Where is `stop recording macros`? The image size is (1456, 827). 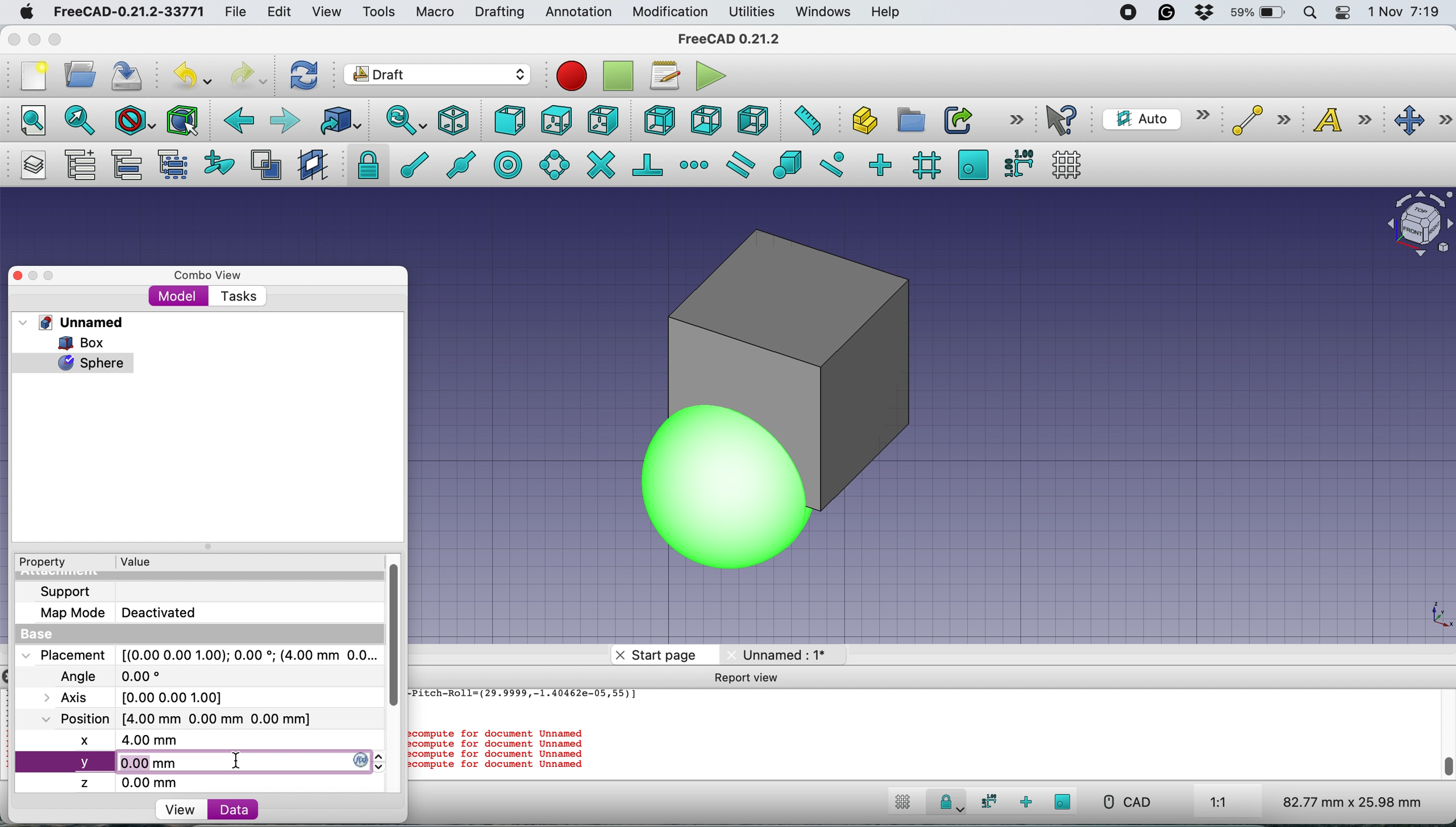
stop recording macros is located at coordinates (621, 76).